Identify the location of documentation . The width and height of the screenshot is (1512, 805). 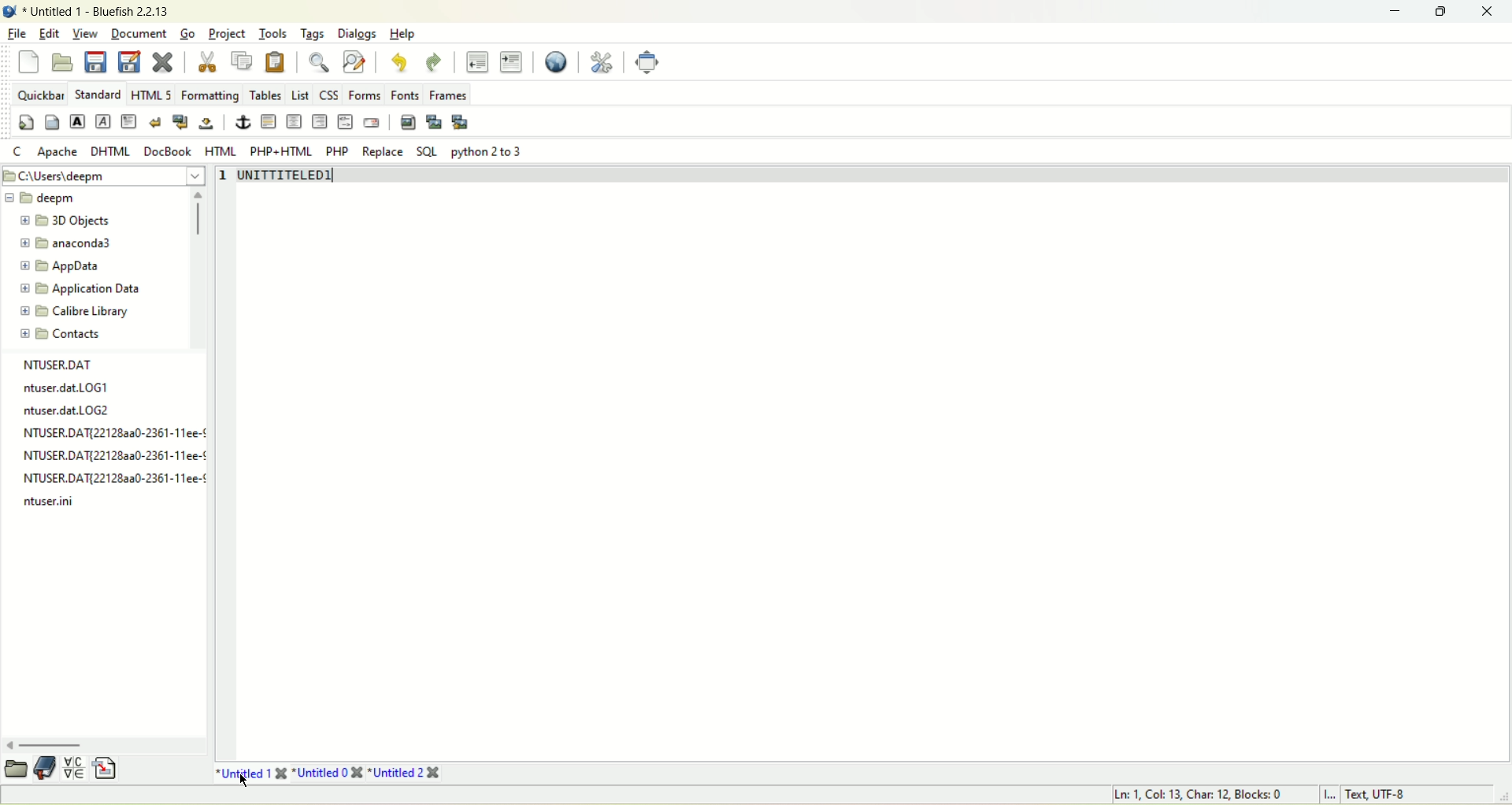
(44, 770).